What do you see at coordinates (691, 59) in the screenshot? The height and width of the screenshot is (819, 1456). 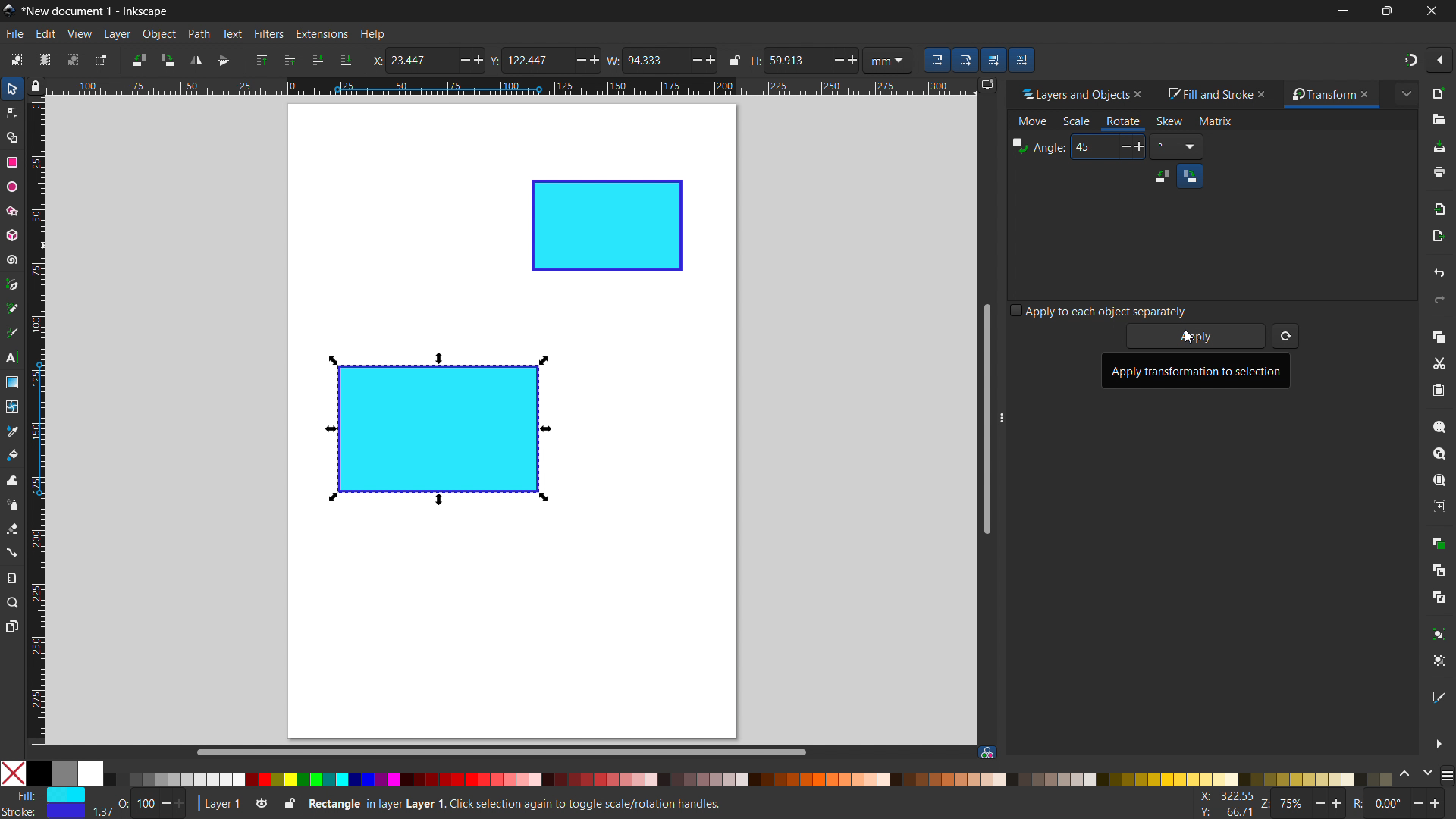 I see `Decrease/minus` at bounding box center [691, 59].